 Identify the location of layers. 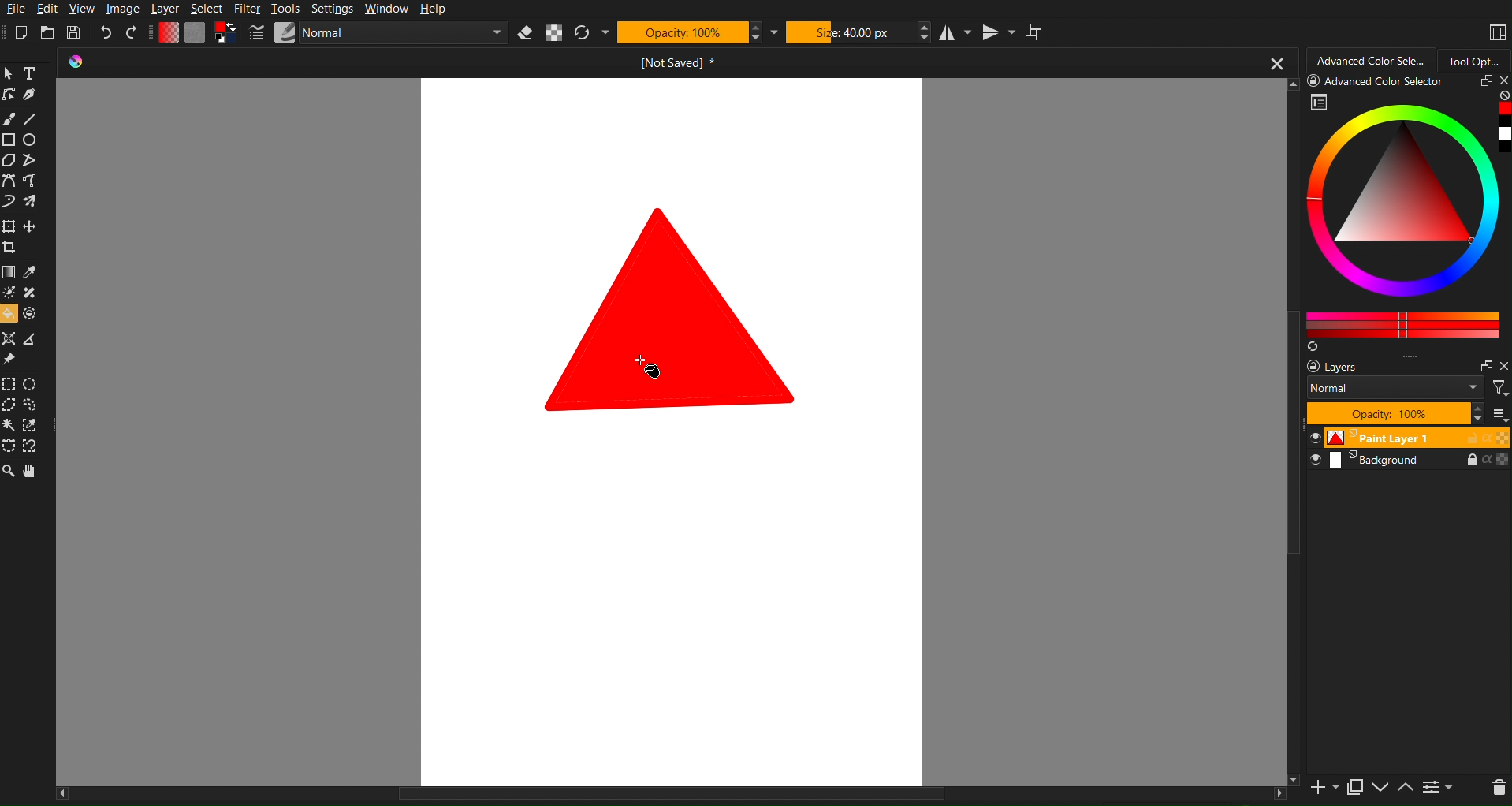
(1346, 368).